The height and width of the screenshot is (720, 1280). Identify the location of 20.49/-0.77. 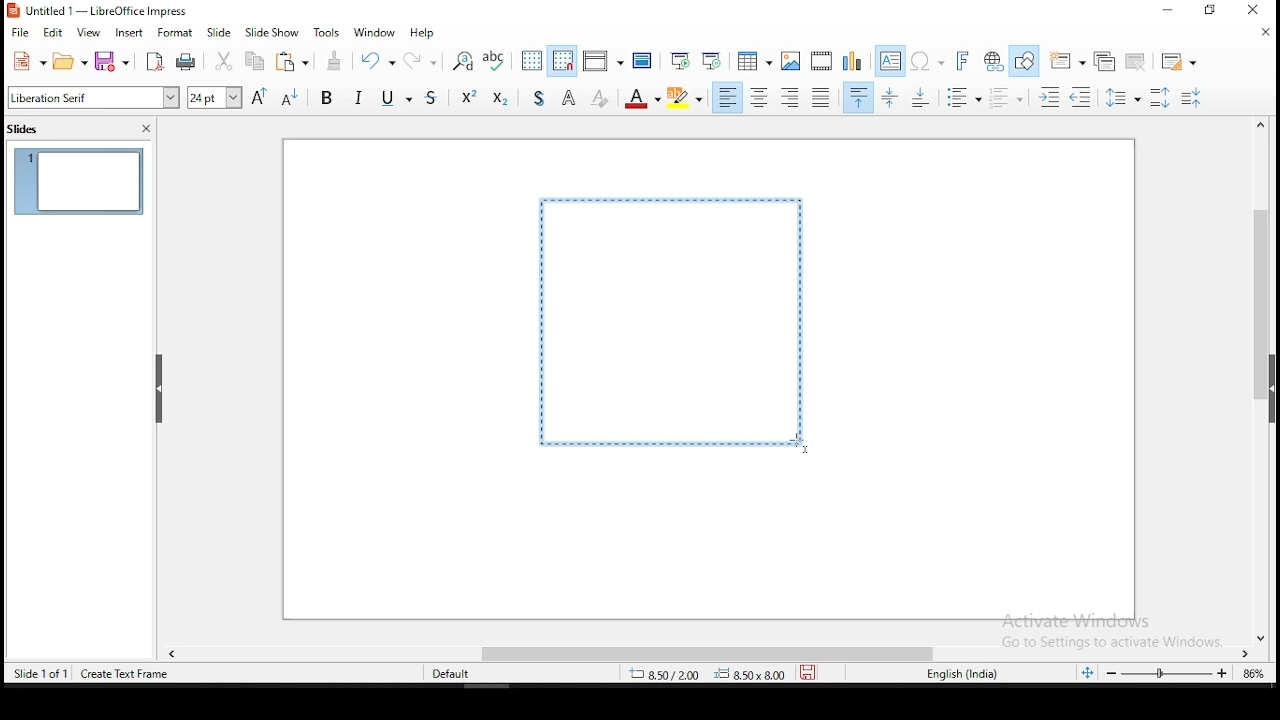
(669, 676).